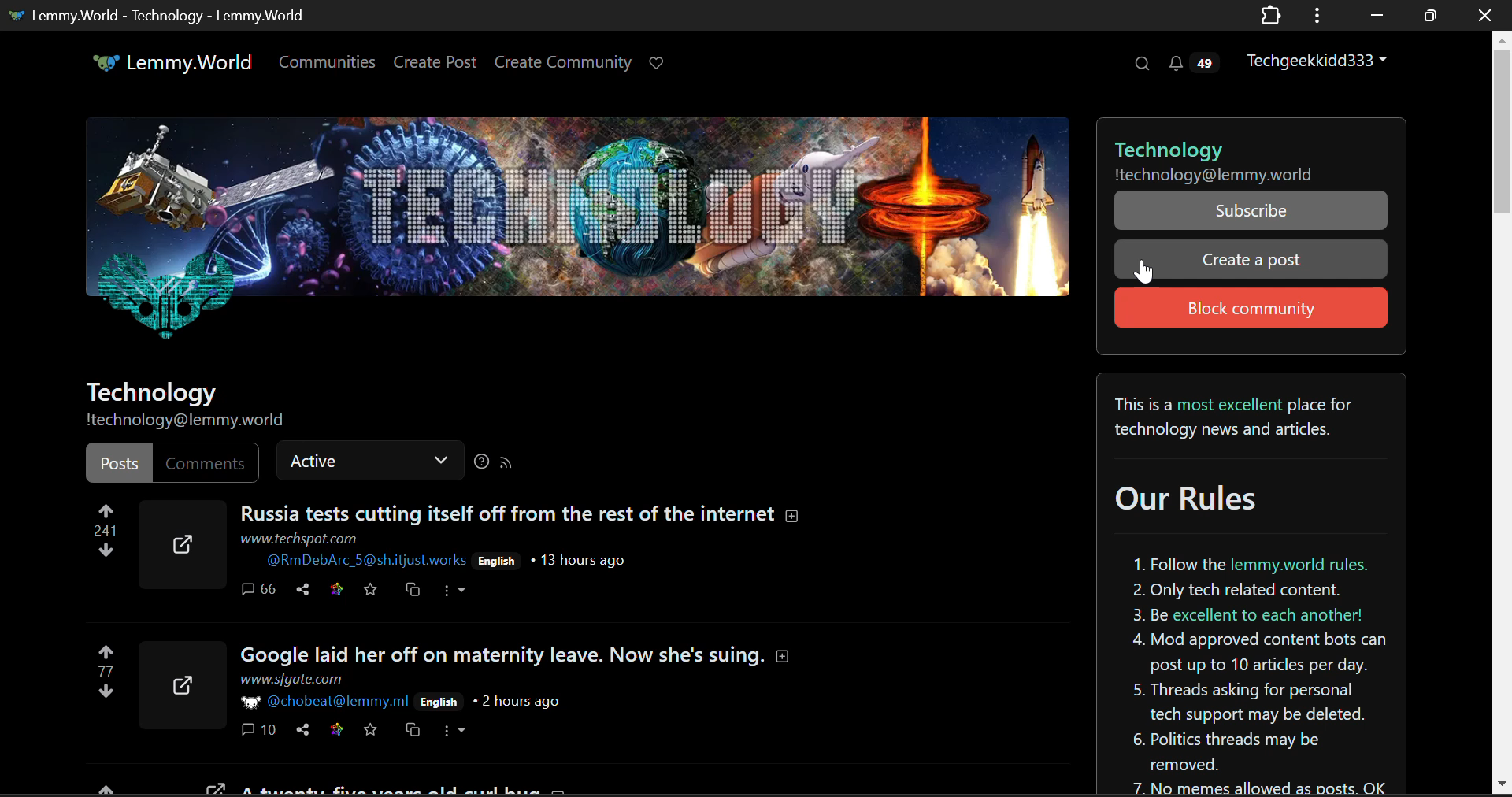 The width and height of the screenshot is (1512, 797). I want to click on Cross-post, so click(413, 591).